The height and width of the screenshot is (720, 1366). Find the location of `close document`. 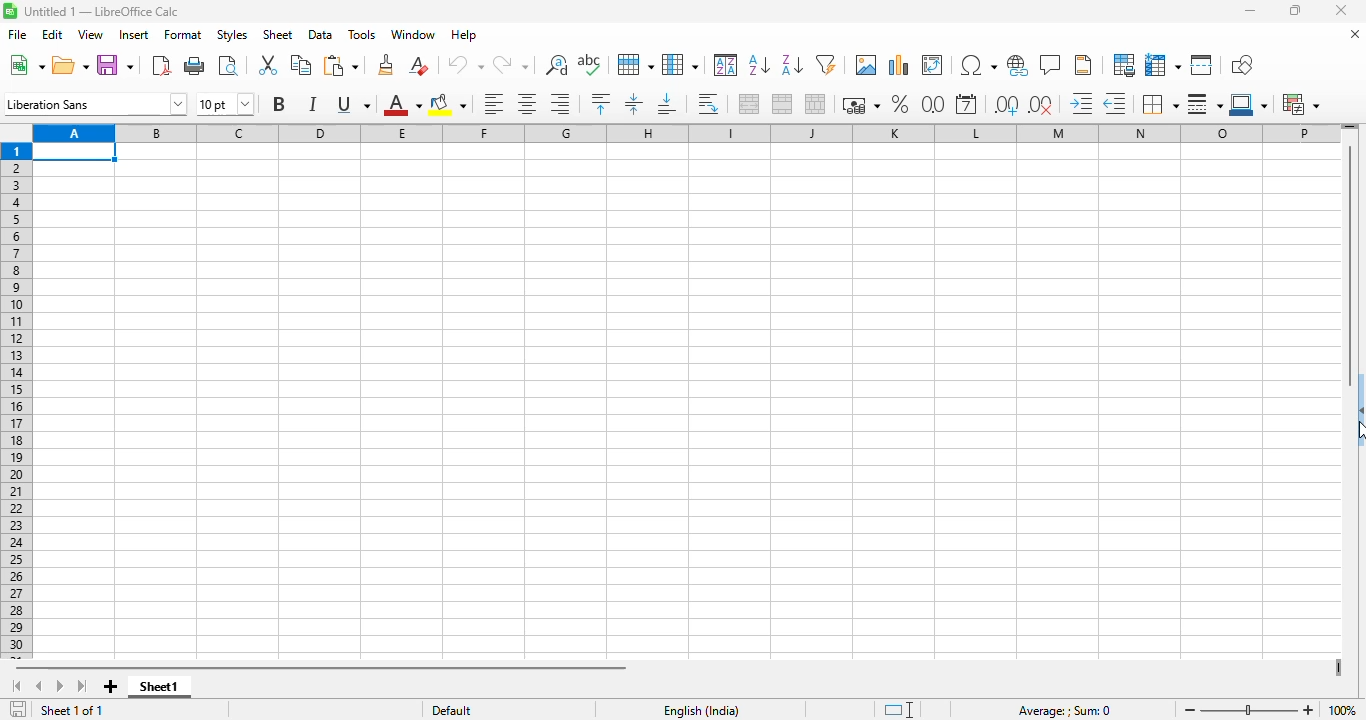

close document is located at coordinates (1354, 33).